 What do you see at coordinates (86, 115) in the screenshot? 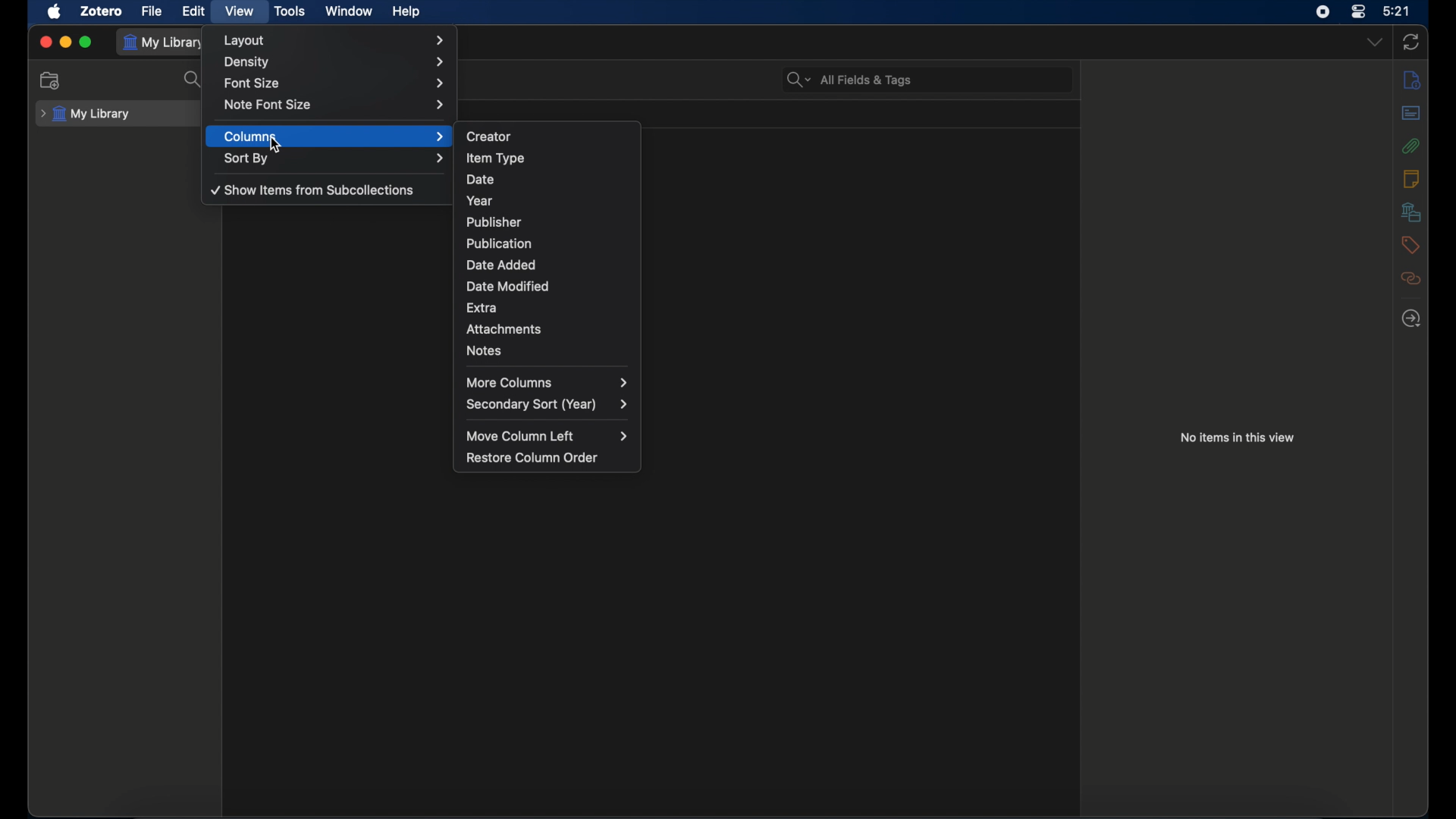
I see `my library` at bounding box center [86, 115].